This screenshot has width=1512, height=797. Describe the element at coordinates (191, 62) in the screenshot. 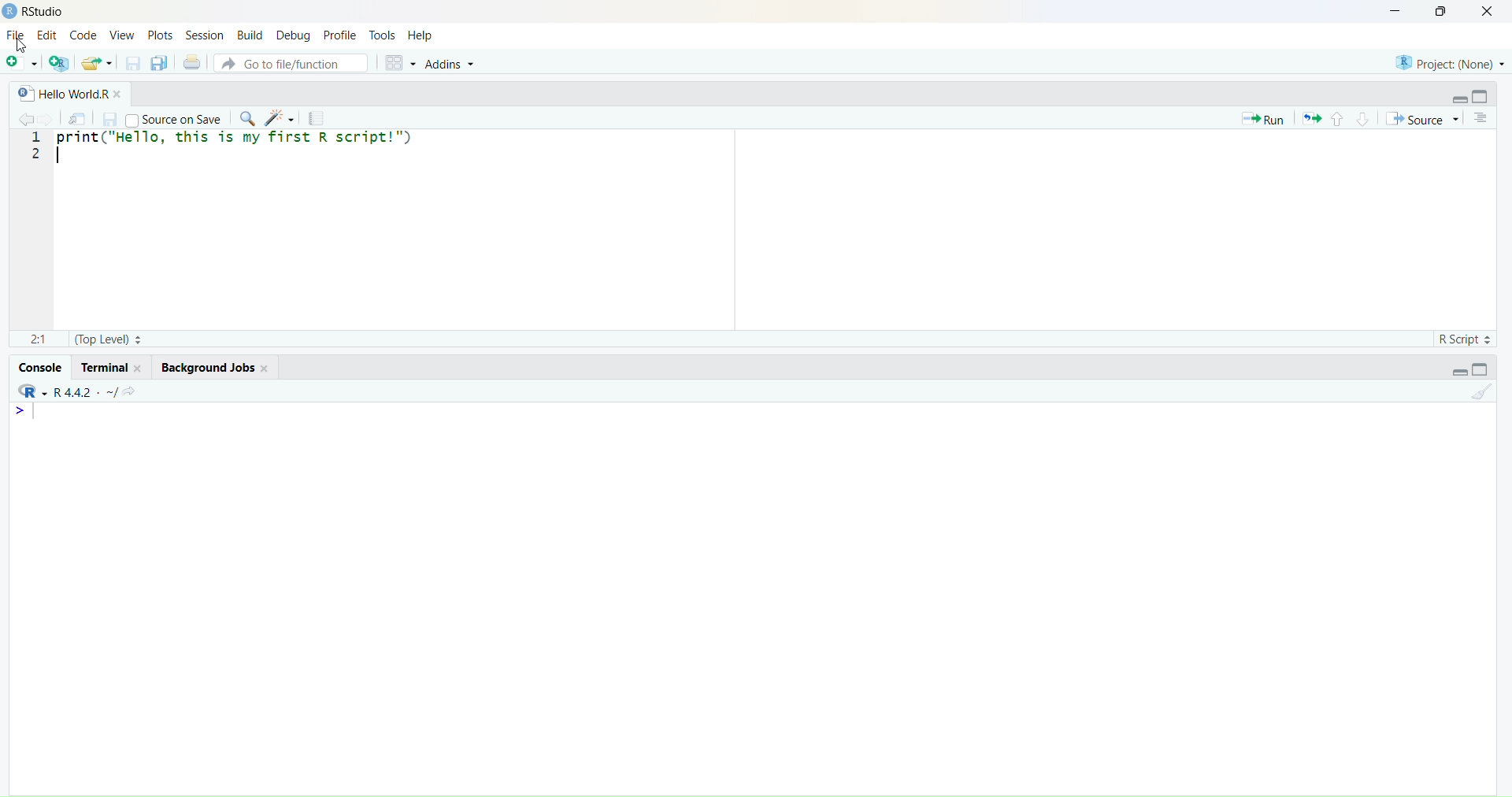

I see `Print the current file` at that location.